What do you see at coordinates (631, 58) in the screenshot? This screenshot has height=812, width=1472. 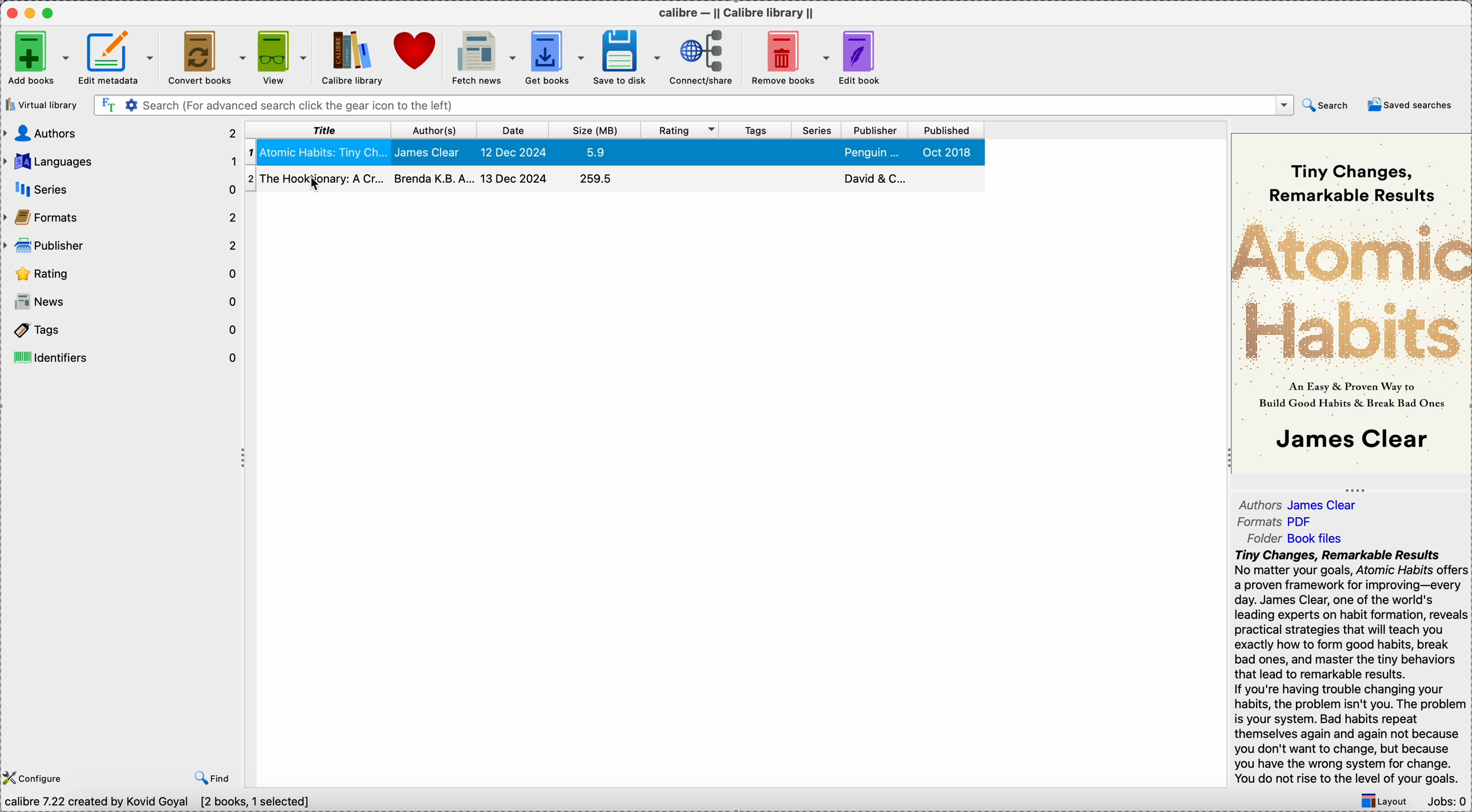 I see `save to disk` at bounding box center [631, 58].